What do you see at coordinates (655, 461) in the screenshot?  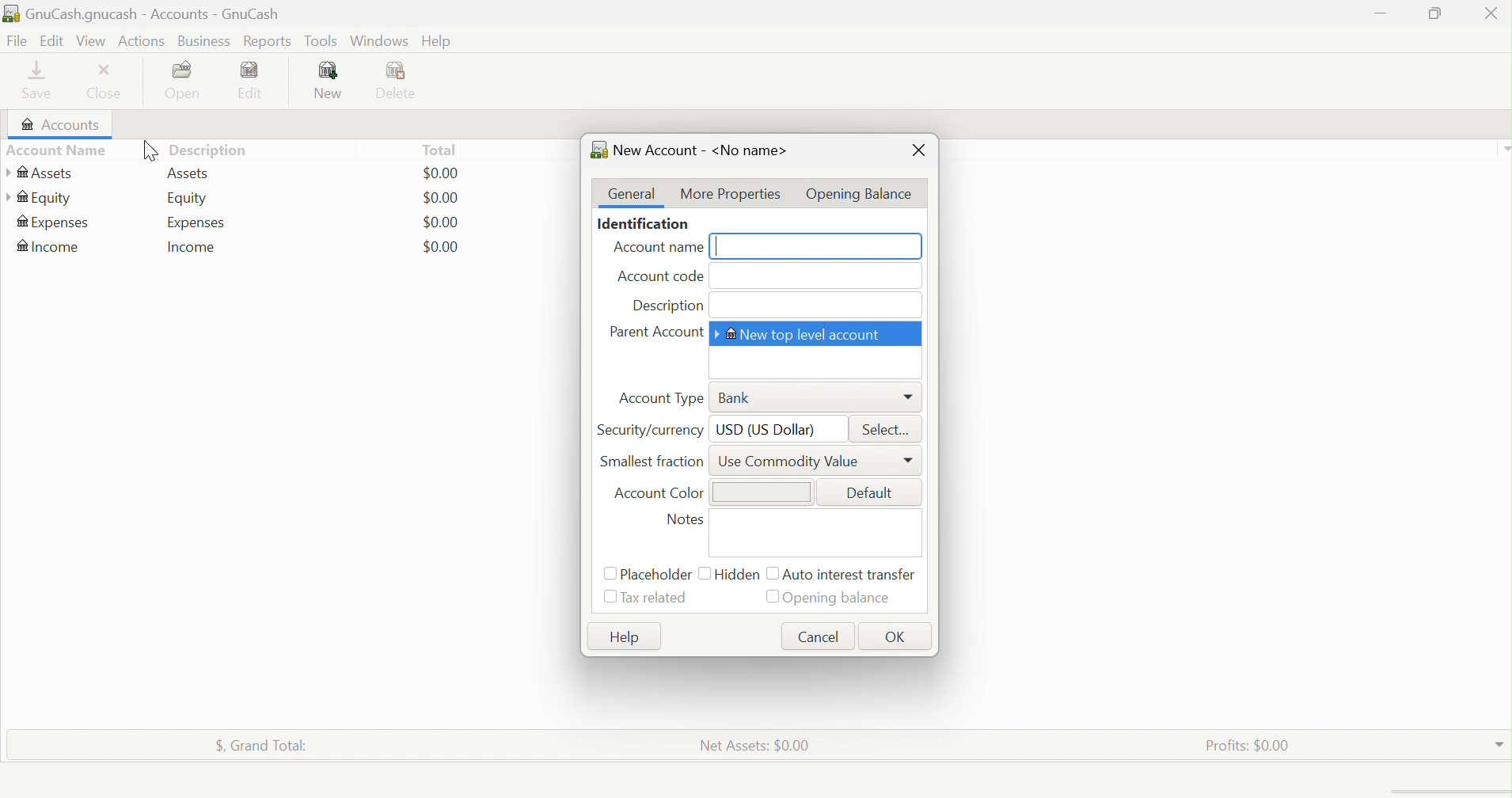 I see `Smallest fraction` at bounding box center [655, 461].